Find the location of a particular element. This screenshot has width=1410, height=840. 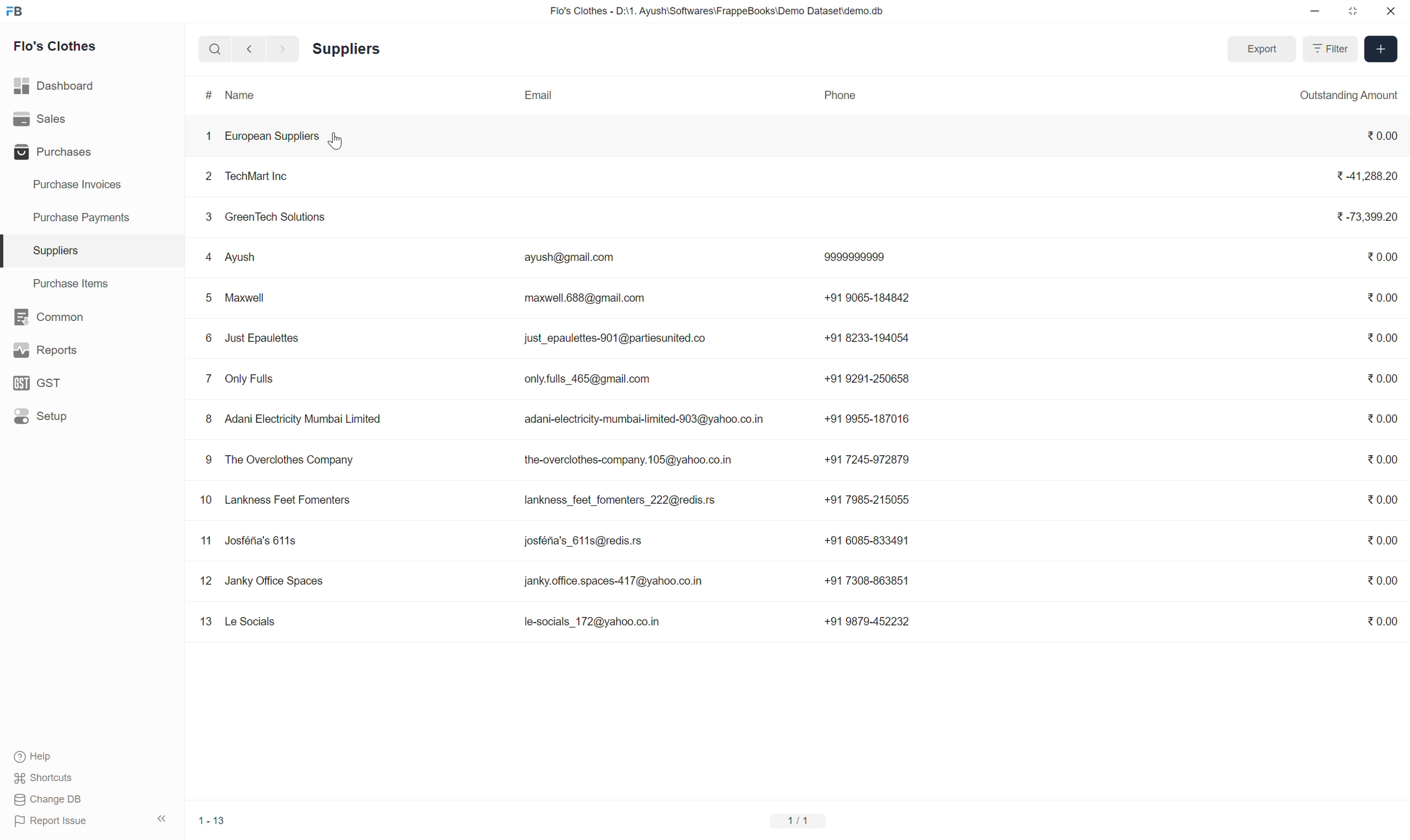

Purchases is located at coordinates (57, 148).